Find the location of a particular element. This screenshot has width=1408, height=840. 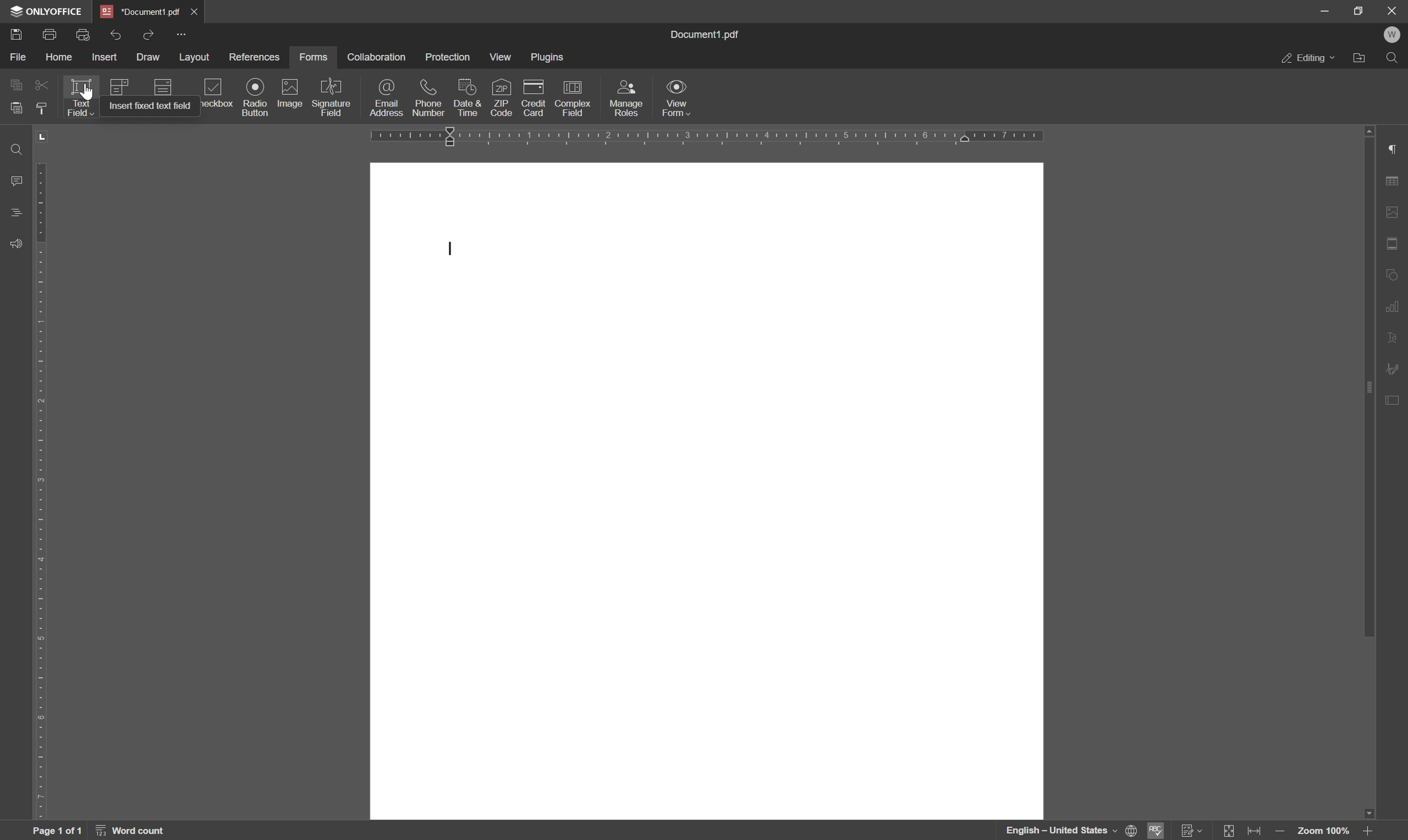

text field is located at coordinates (81, 98).